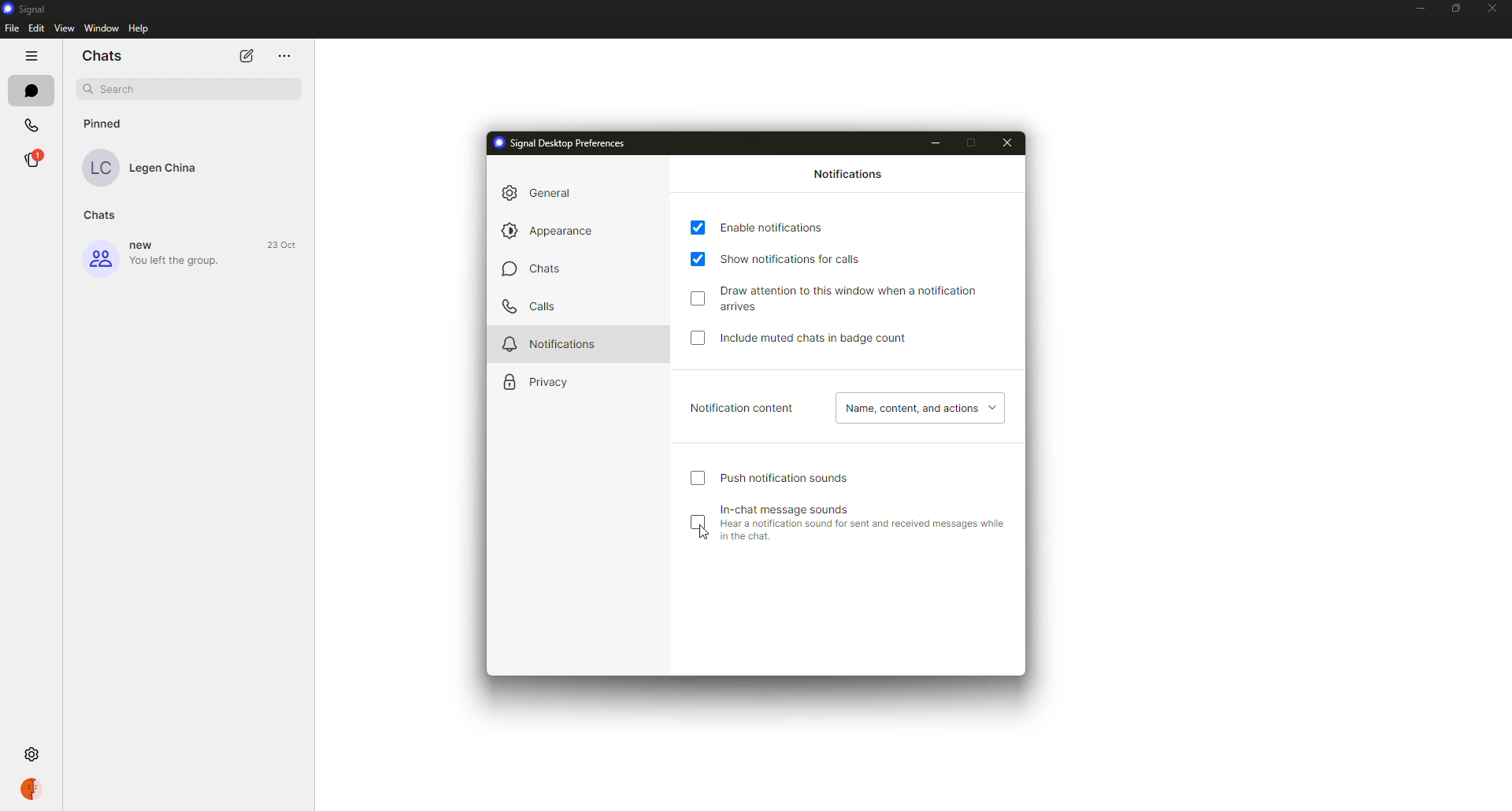  Describe the element at coordinates (554, 345) in the screenshot. I see `notifications` at that location.